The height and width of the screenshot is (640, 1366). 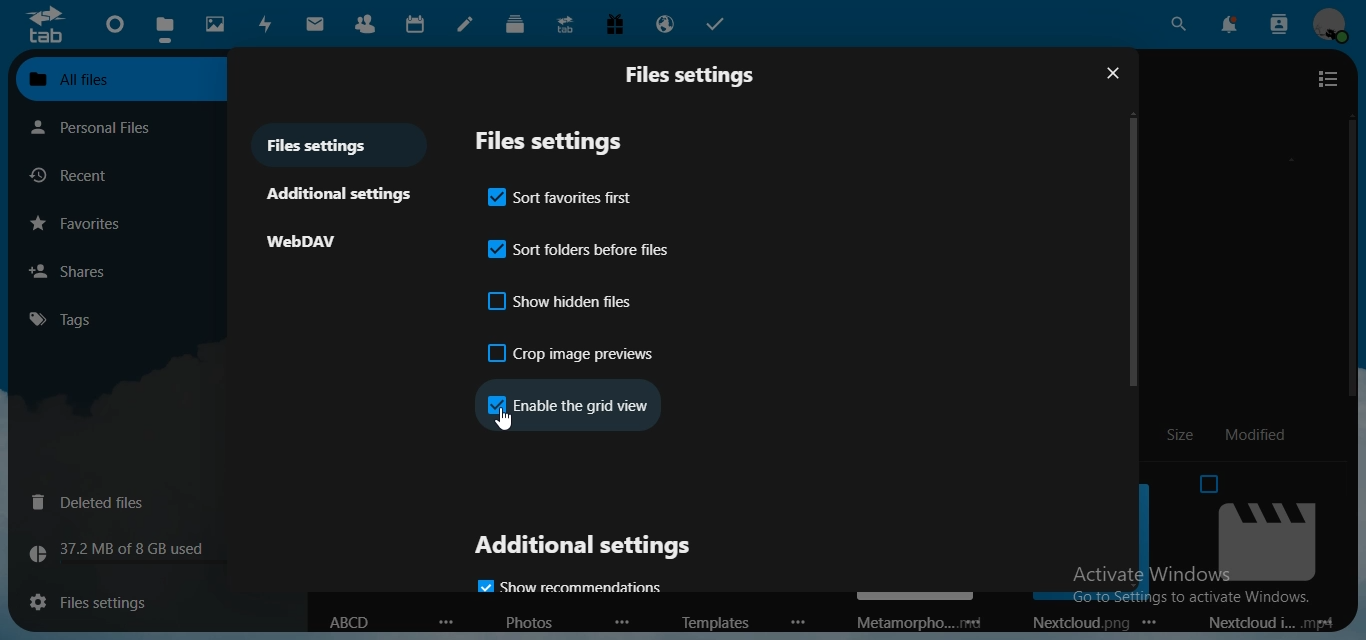 What do you see at coordinates (1228, 23) in the screenshot?
I see `notifications` at bounding box center [1228, 23].